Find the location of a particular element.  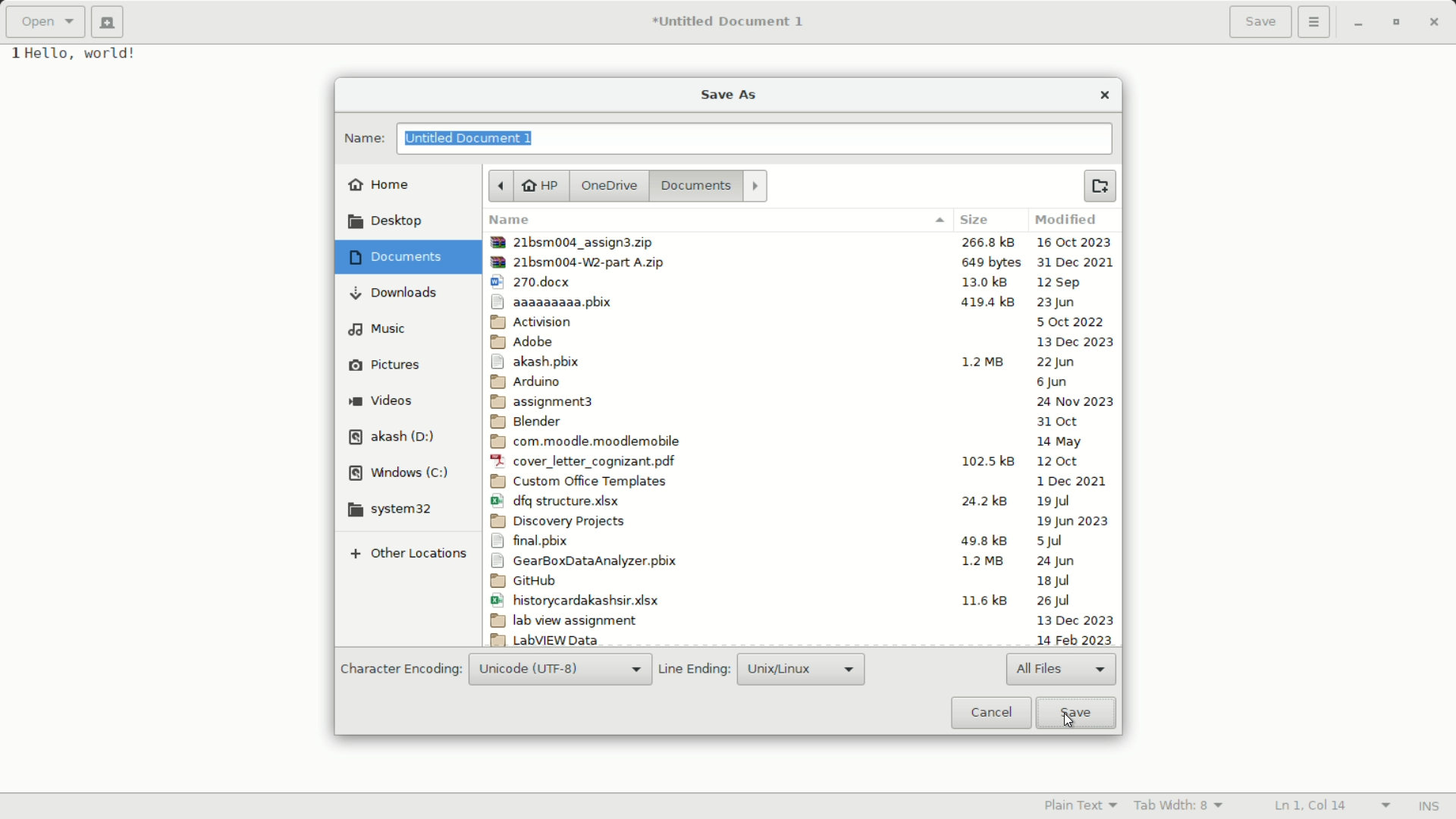

open is located at coordinates (47, 22).